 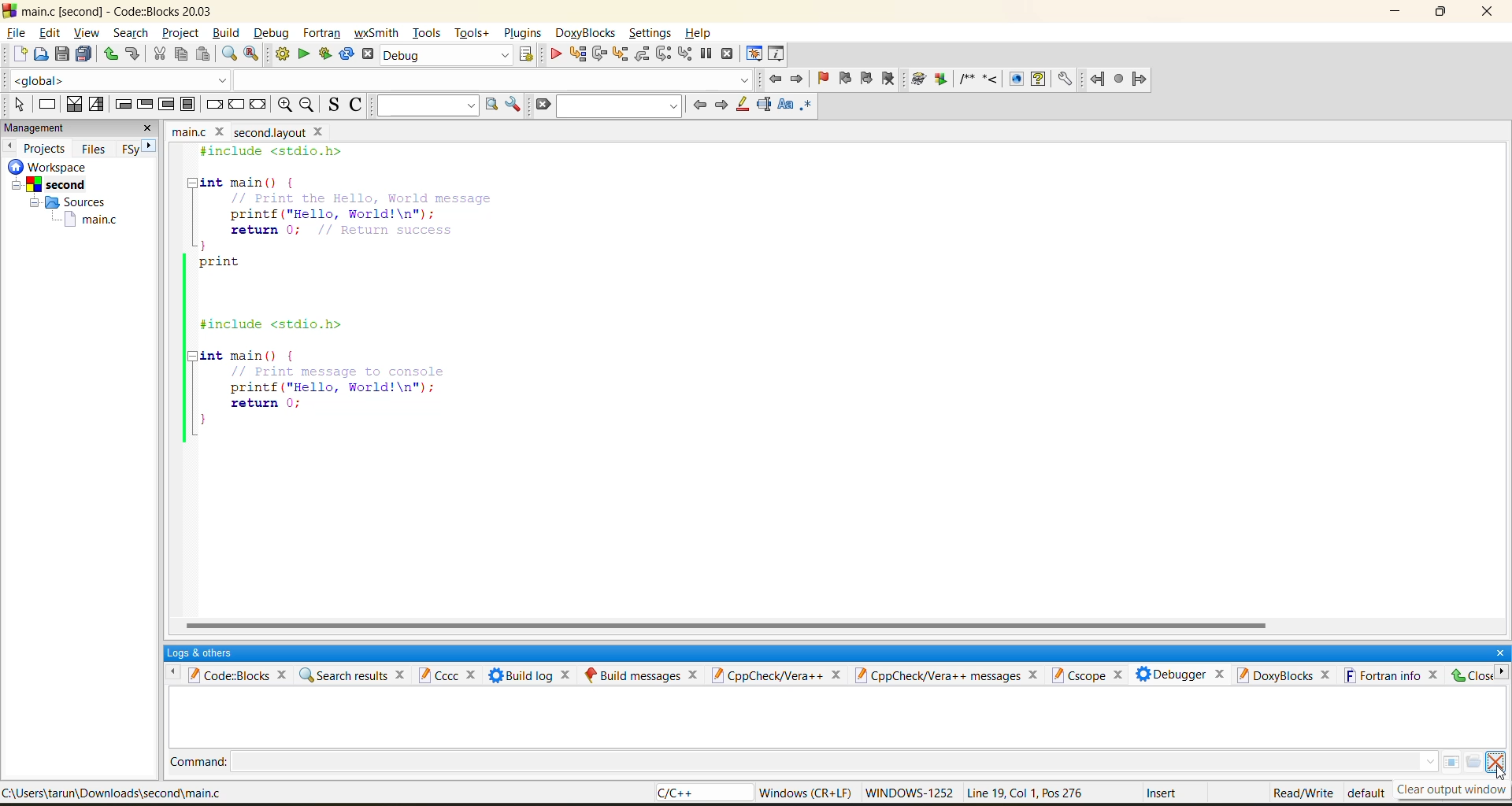 I want to click on toggle bookmark, so click(x=822, y=78).